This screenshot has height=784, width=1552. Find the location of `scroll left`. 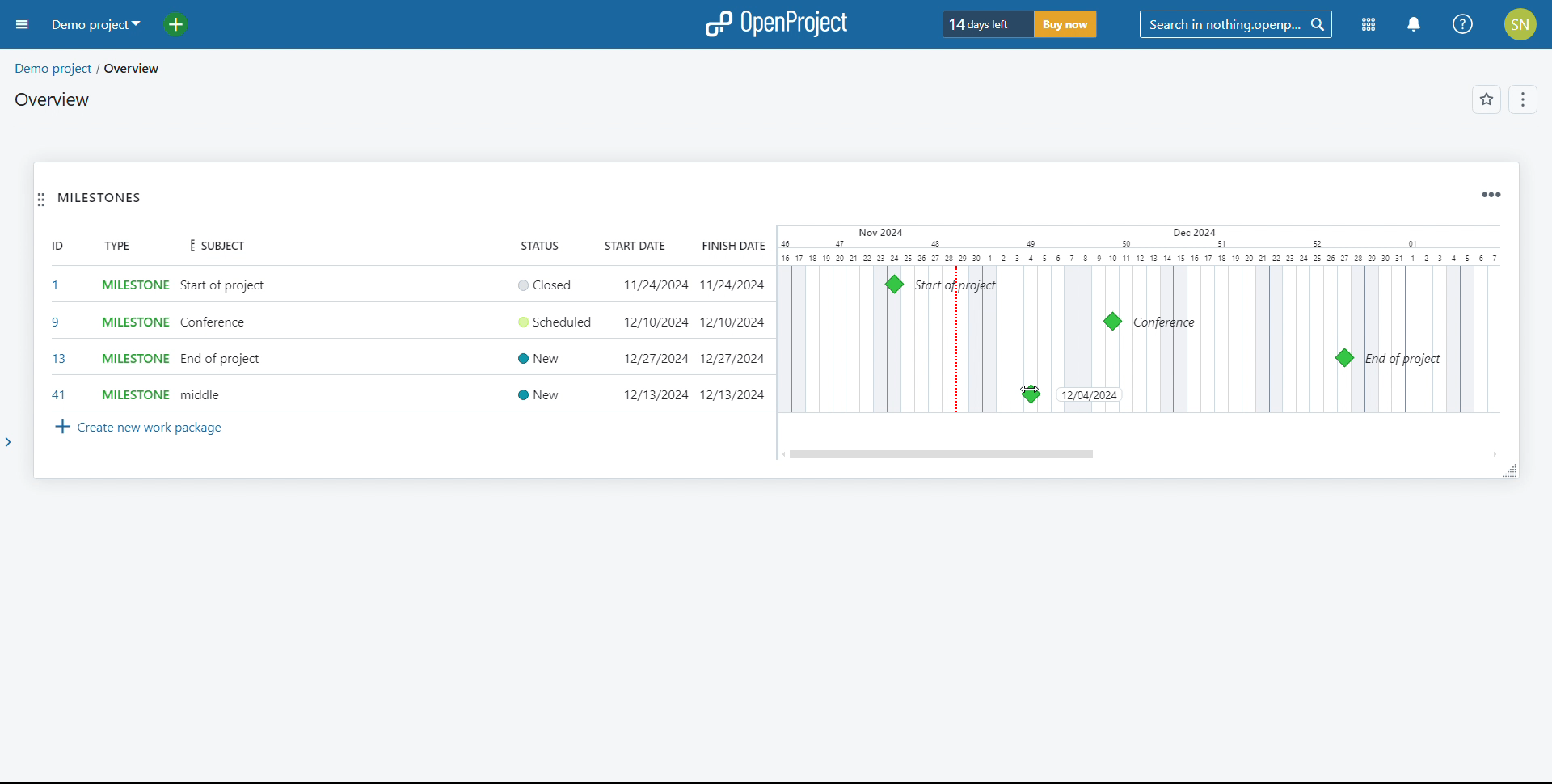

scroll left is located at coordinates (782, 454).